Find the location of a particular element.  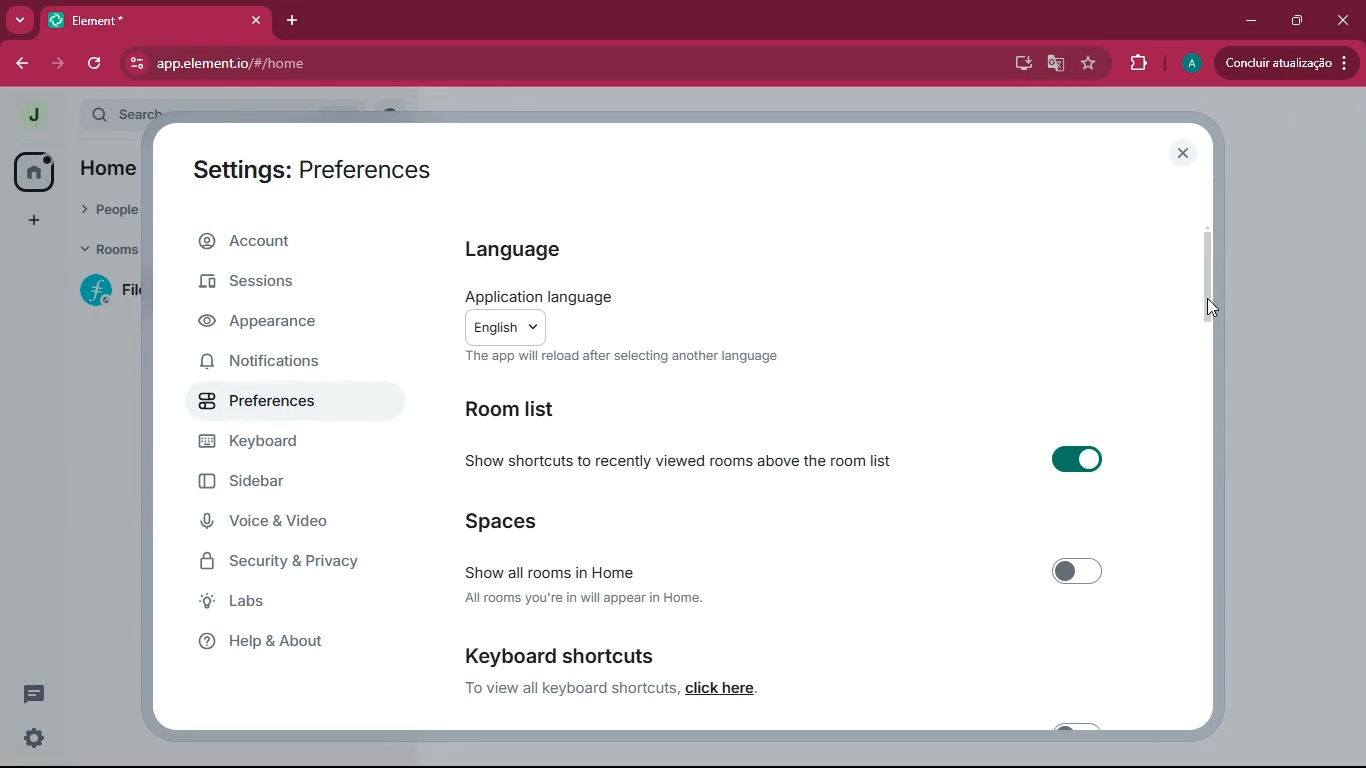

home is located at coordinates (32, 171).